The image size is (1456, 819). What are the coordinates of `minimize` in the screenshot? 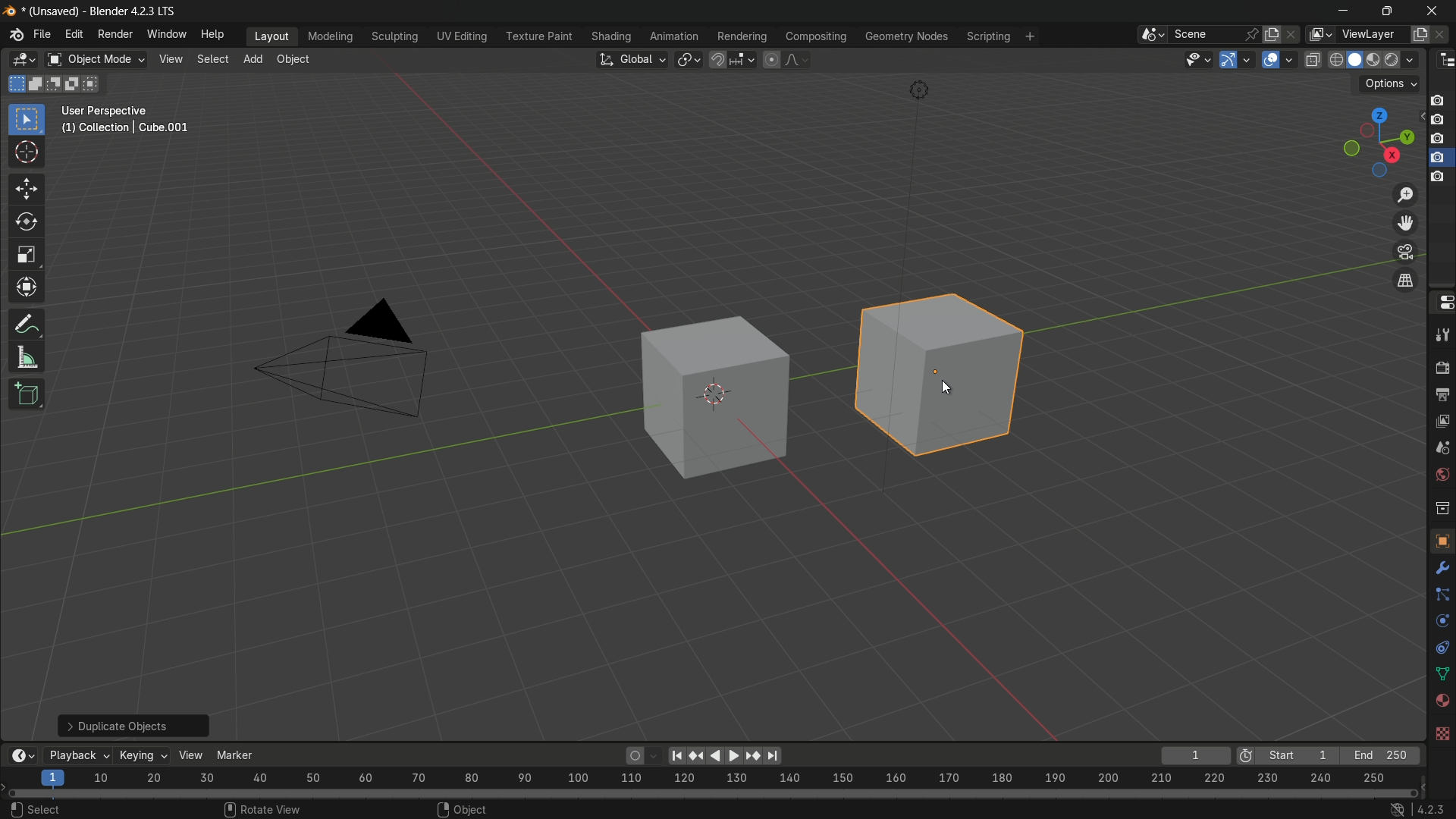 It's located at (1341, 10).